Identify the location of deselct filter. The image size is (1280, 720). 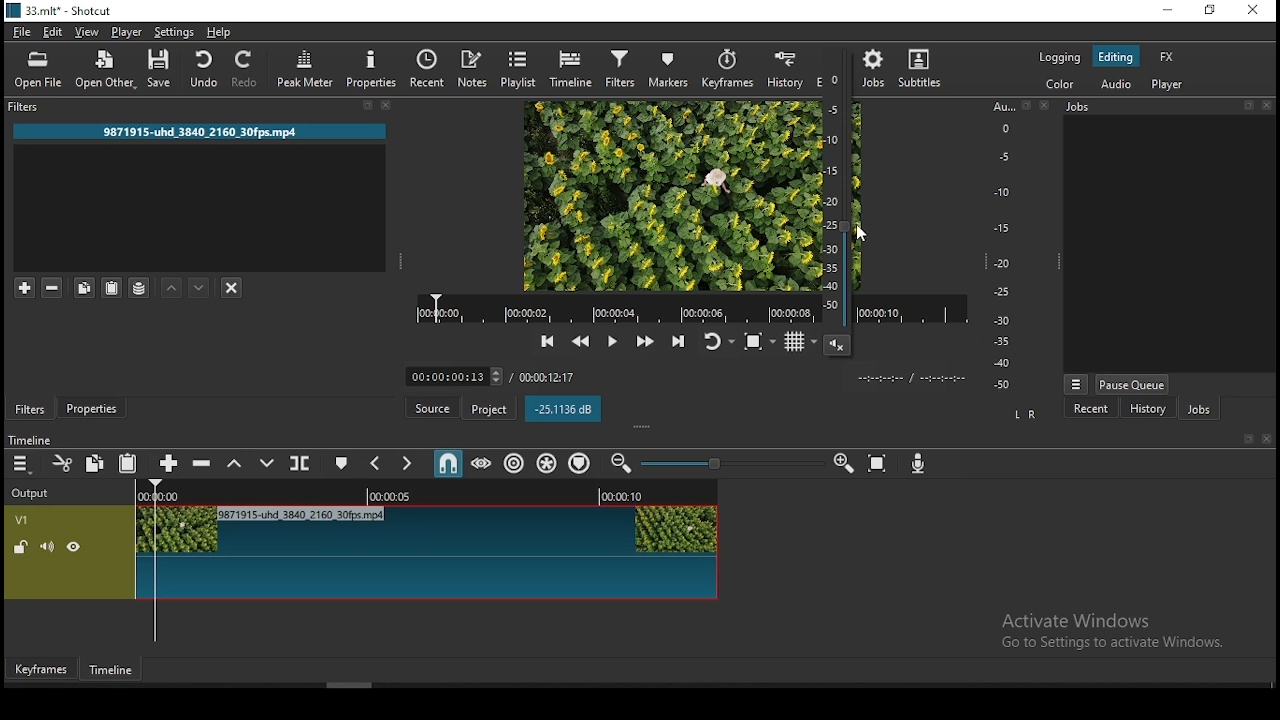
(231, 289).